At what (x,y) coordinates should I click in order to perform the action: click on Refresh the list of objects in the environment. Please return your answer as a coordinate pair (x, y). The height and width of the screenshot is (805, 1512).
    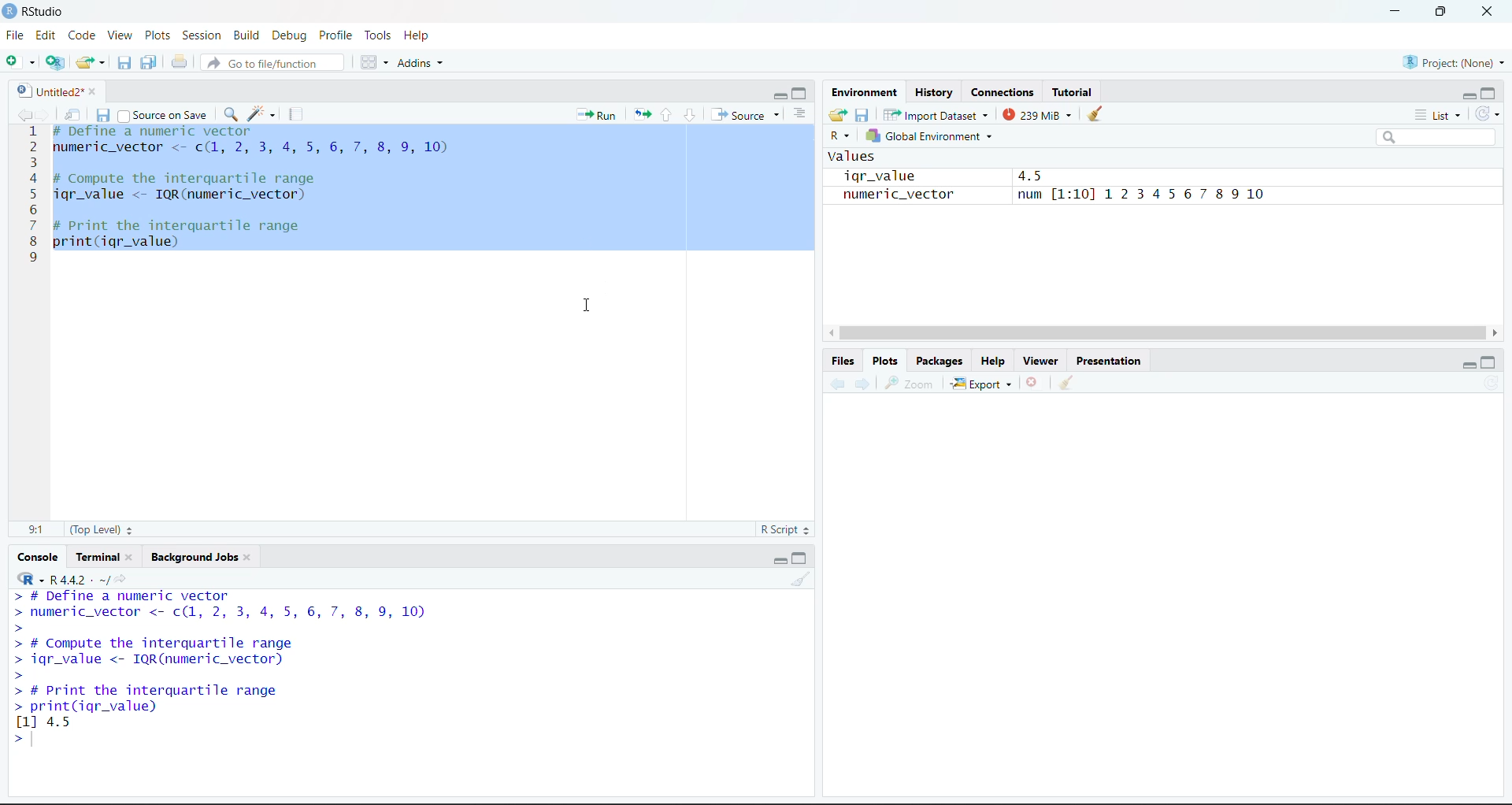
    Looking at the image, I should click on (1492, 117).